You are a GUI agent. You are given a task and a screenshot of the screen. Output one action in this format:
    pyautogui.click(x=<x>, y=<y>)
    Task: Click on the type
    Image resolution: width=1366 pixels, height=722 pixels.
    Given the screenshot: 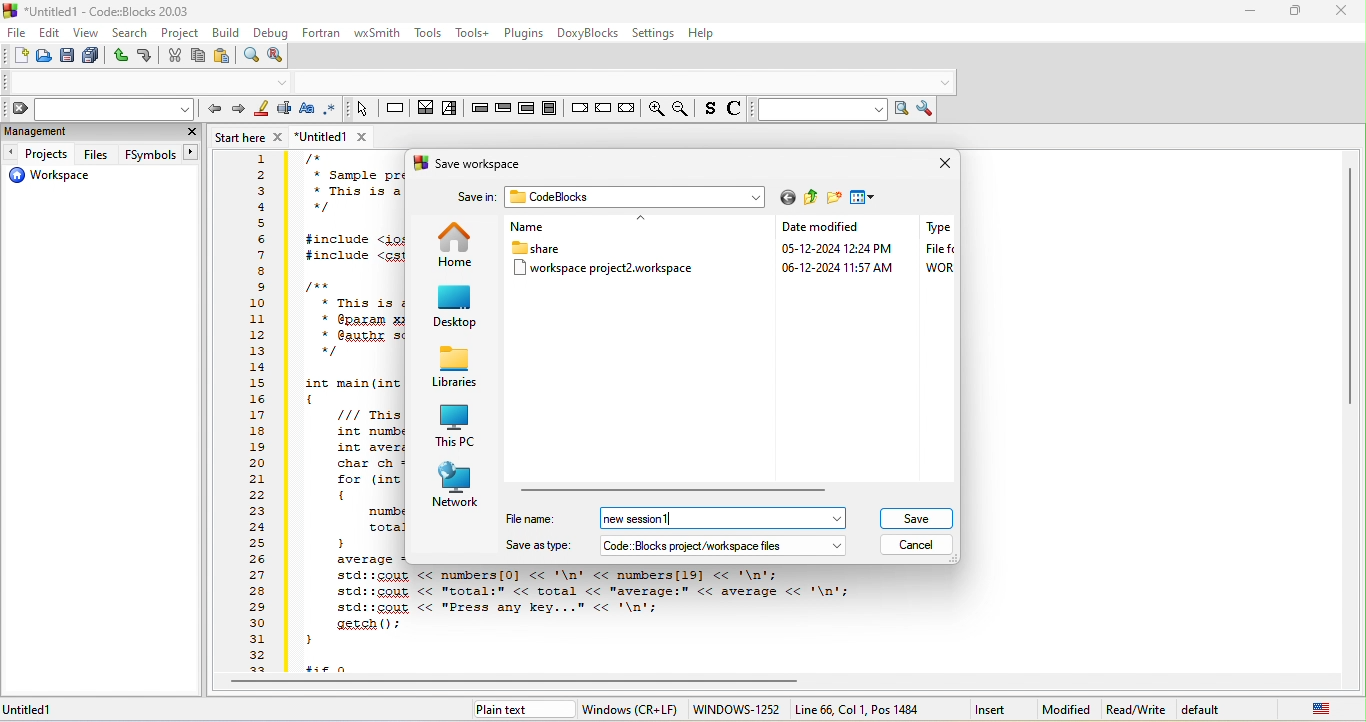 What is the action you would take?
    pyautogui.click(x=935, y=250)
    